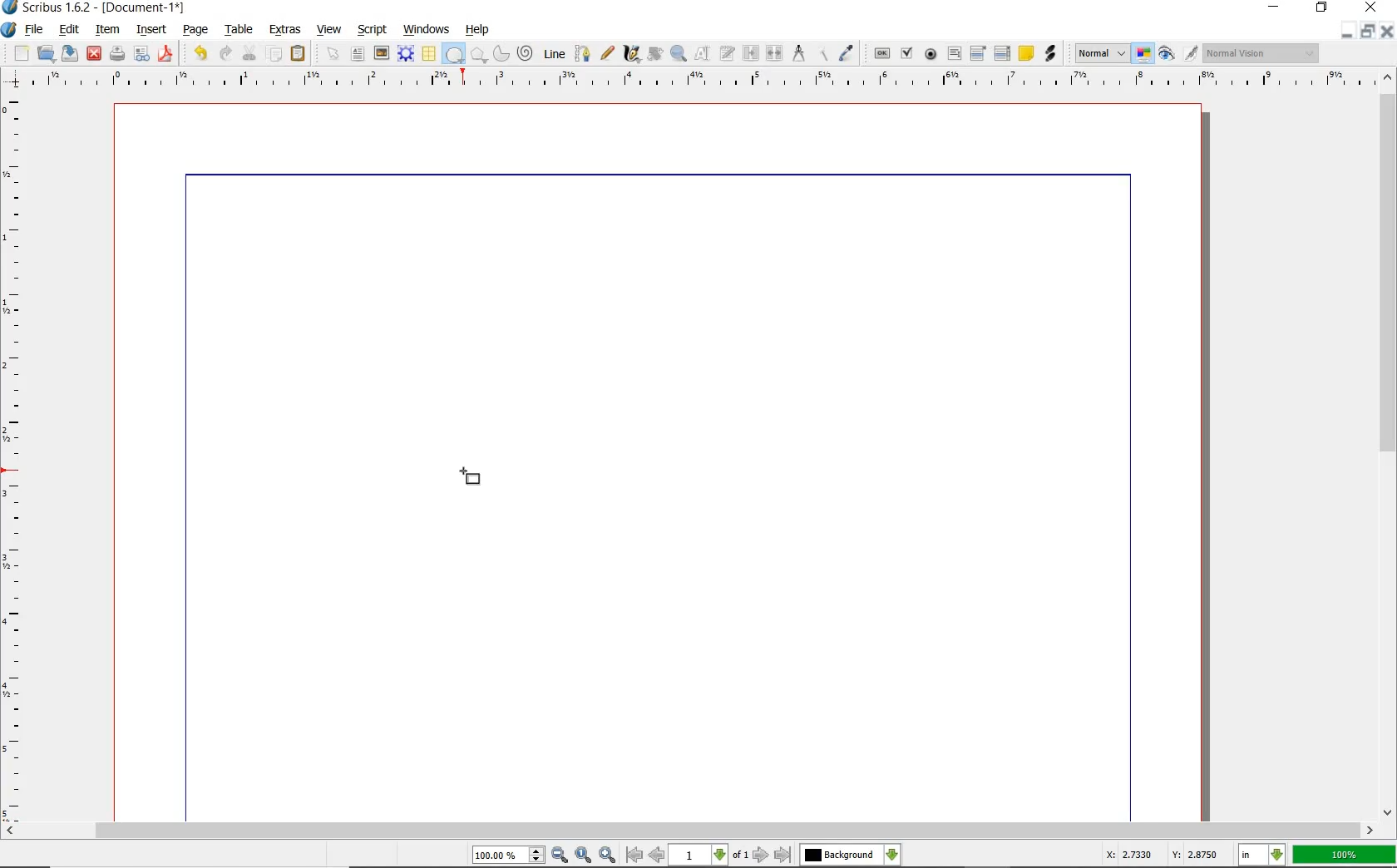 The height and width of the screenshot is (868, 1397). Describe the element at coordinates (1387, 32) in the screenshot. I see `CLOSE` at that location.